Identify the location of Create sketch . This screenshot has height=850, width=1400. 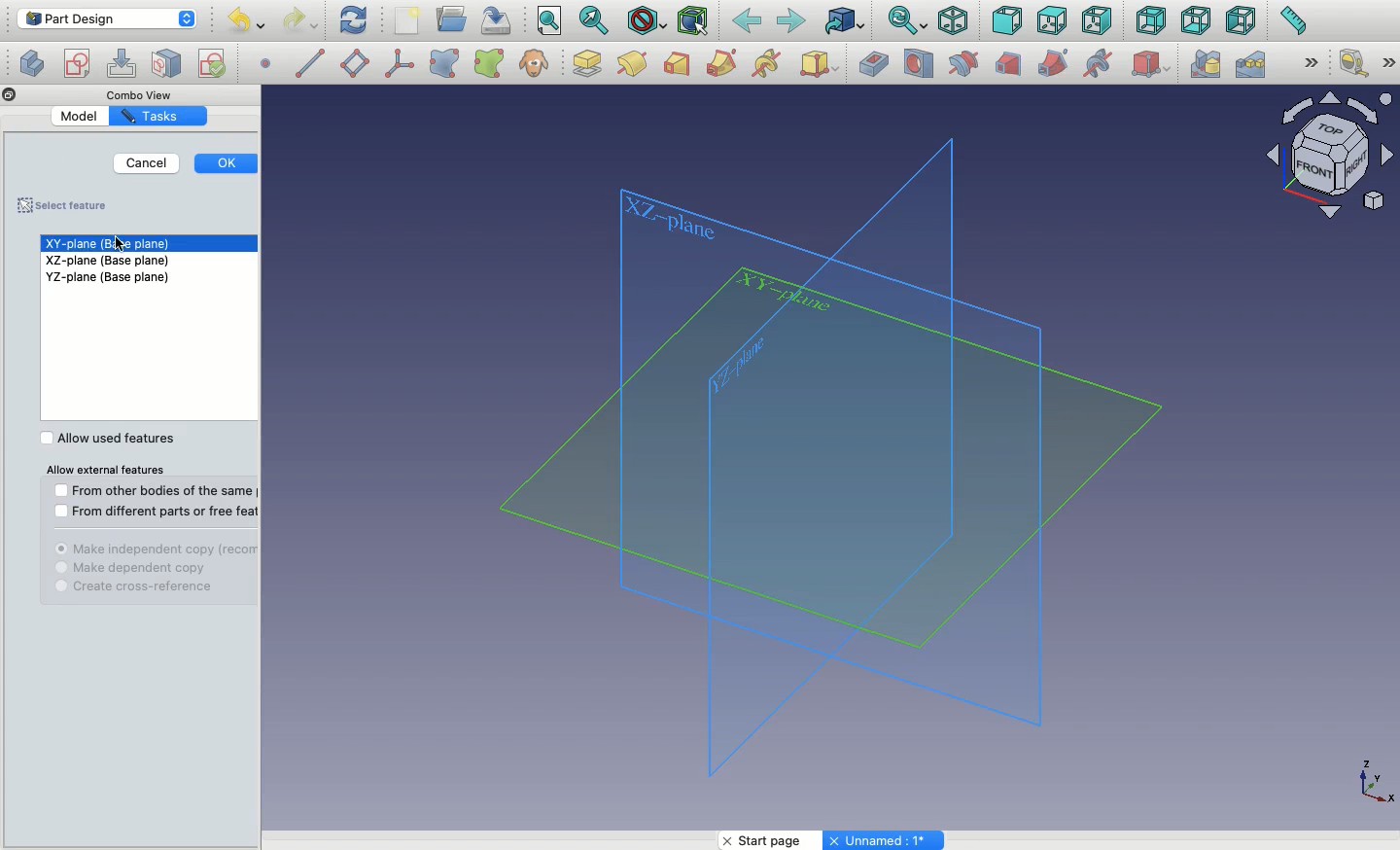
(31, 62).